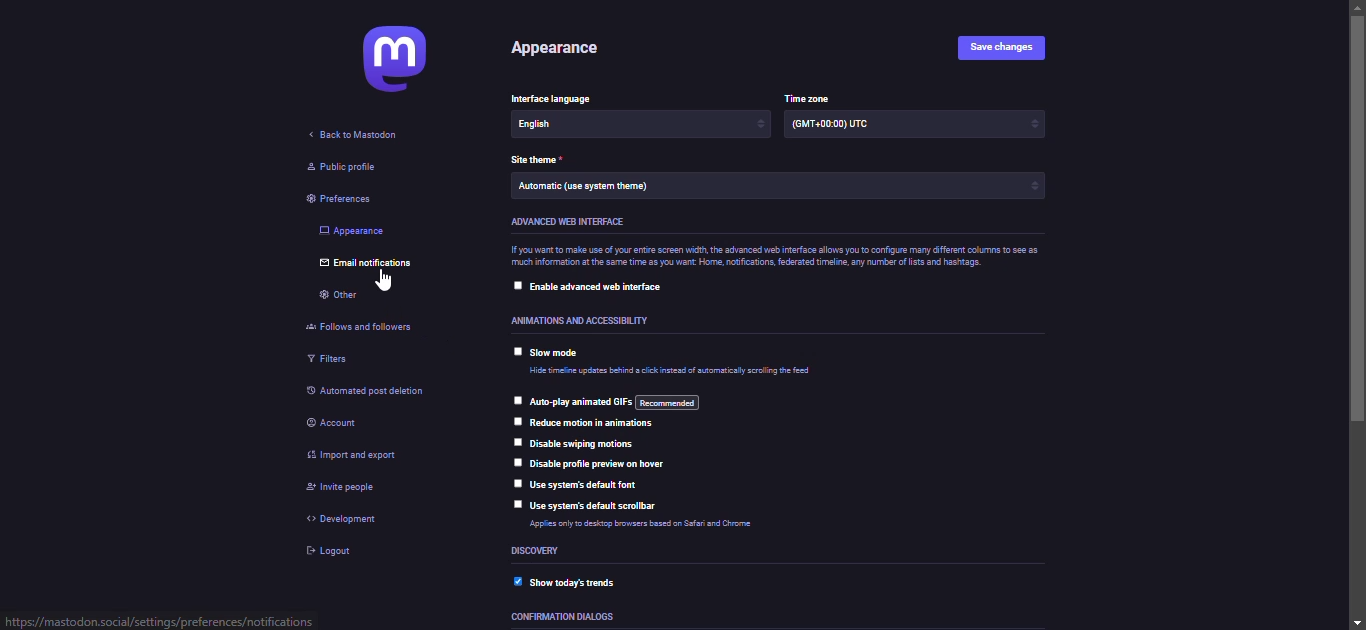 Image resolution: width=1366 pixels, height=630 pixels. I want to click on info, so click(775, 257).